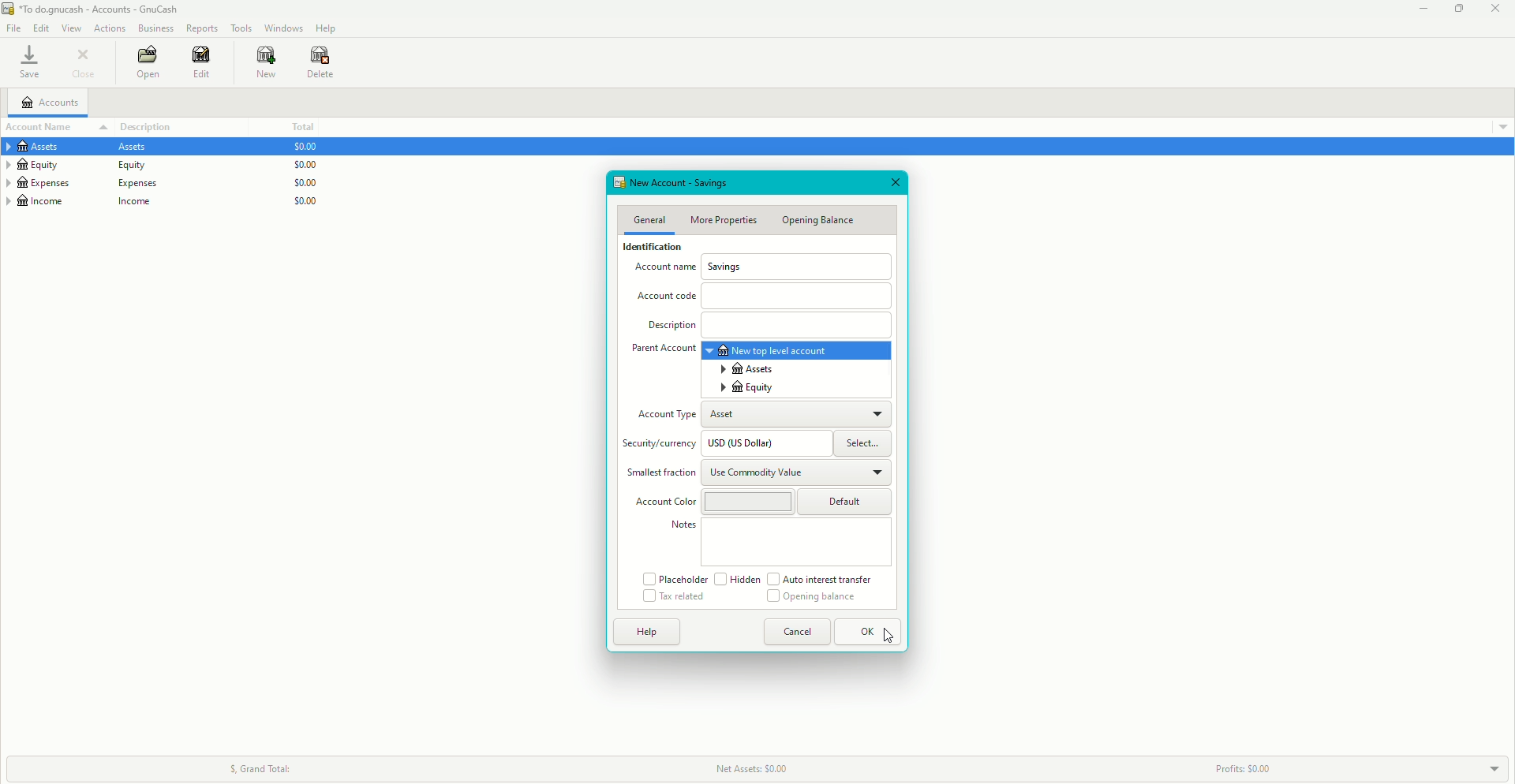  What do you see at coordinates (73, 28) in the screenshot?
I see `View` at bounding box center [73, 28].